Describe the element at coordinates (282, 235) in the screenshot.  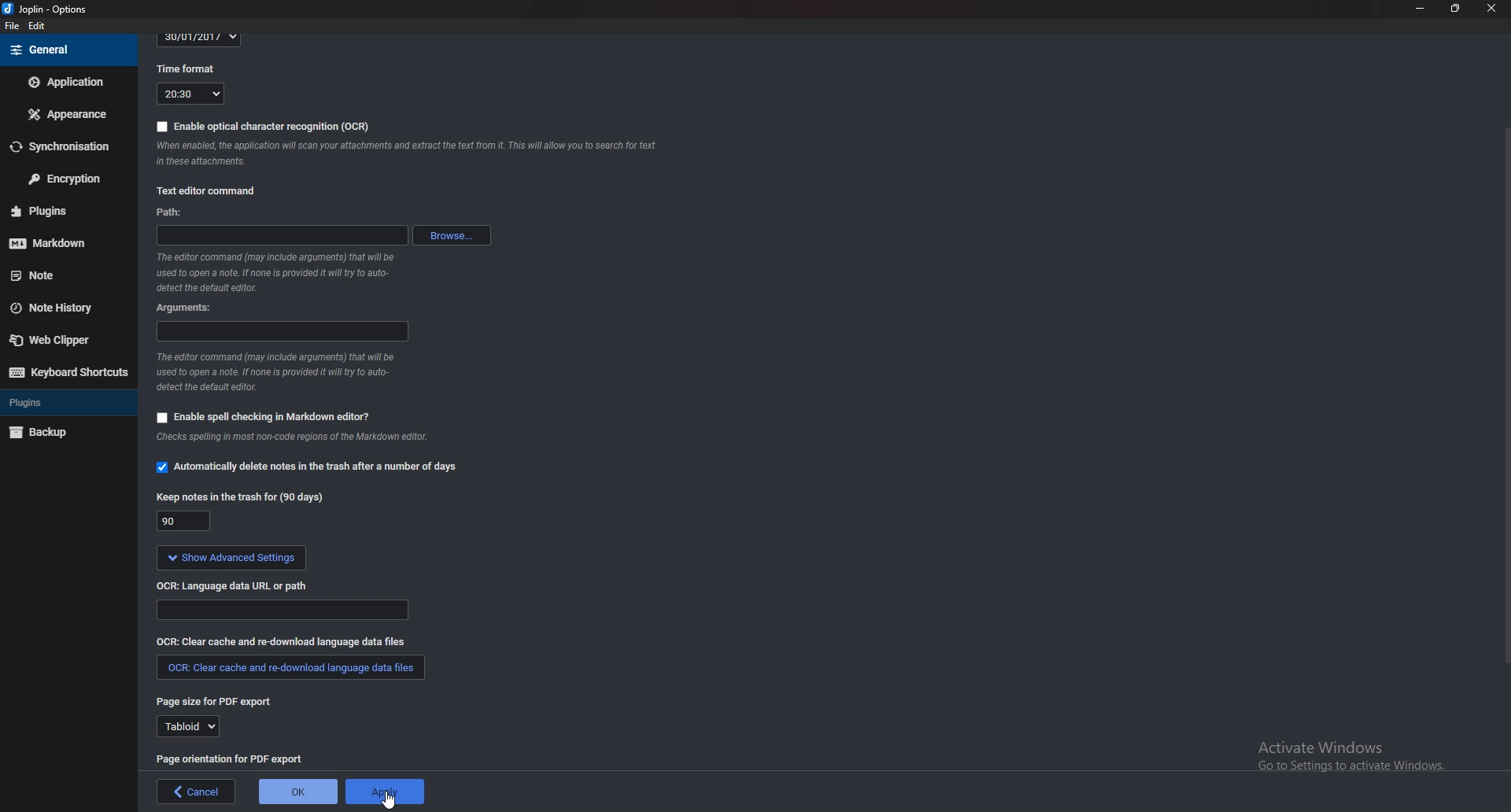
I see `path` at that location.